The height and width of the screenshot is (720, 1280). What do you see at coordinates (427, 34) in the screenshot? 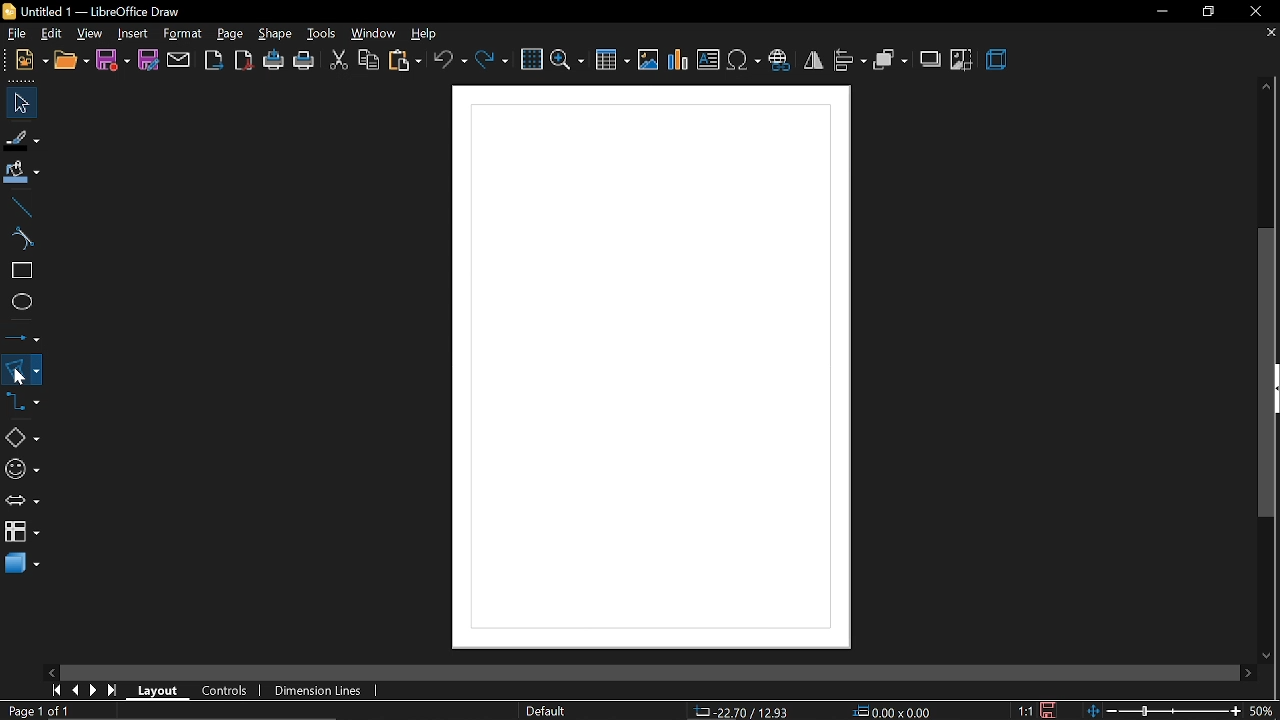
I see `help` at bounding box center [427, 34].